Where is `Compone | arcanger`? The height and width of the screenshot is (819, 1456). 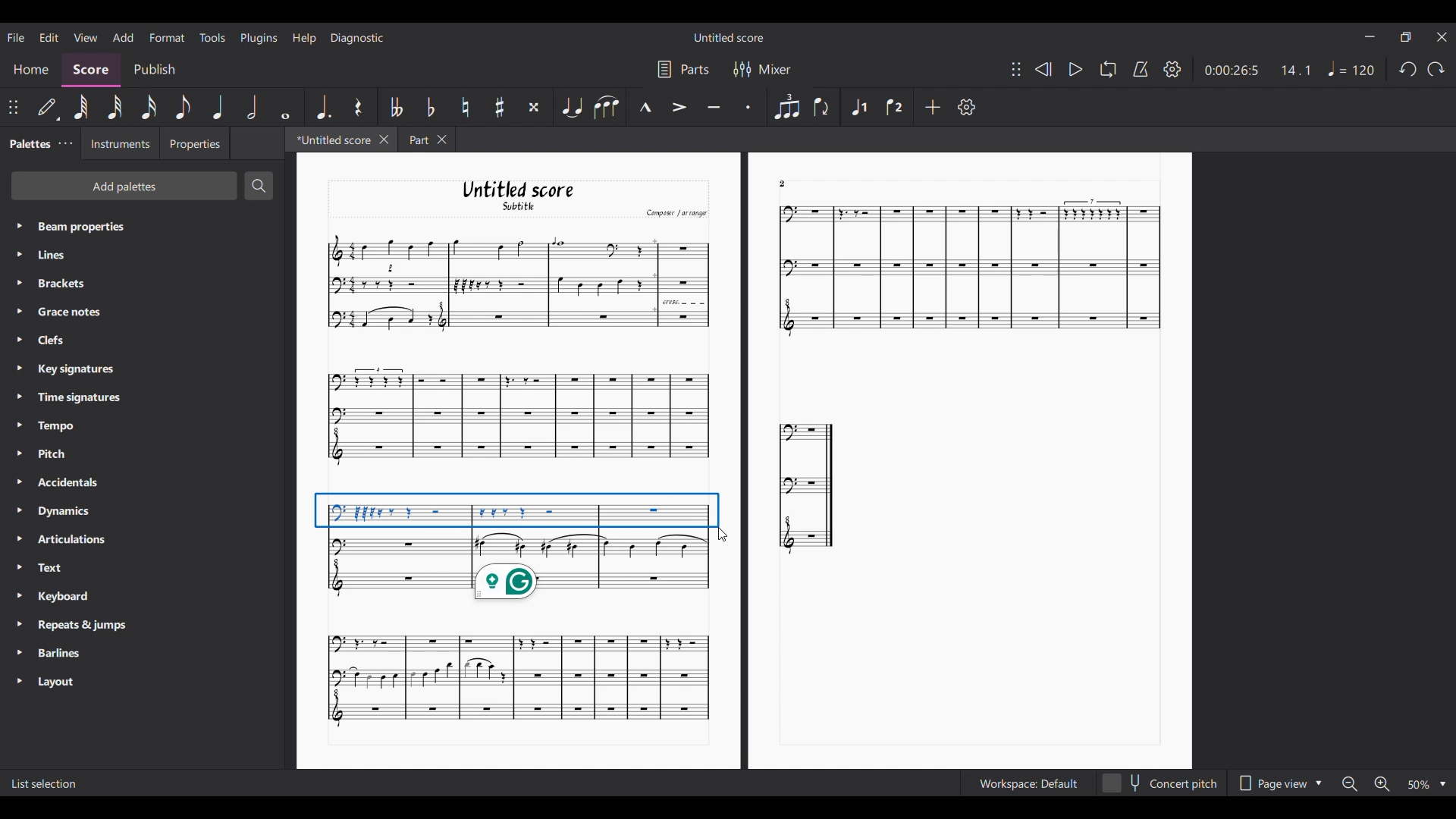 Compone | arcanger is located at coordinates (676, 215).